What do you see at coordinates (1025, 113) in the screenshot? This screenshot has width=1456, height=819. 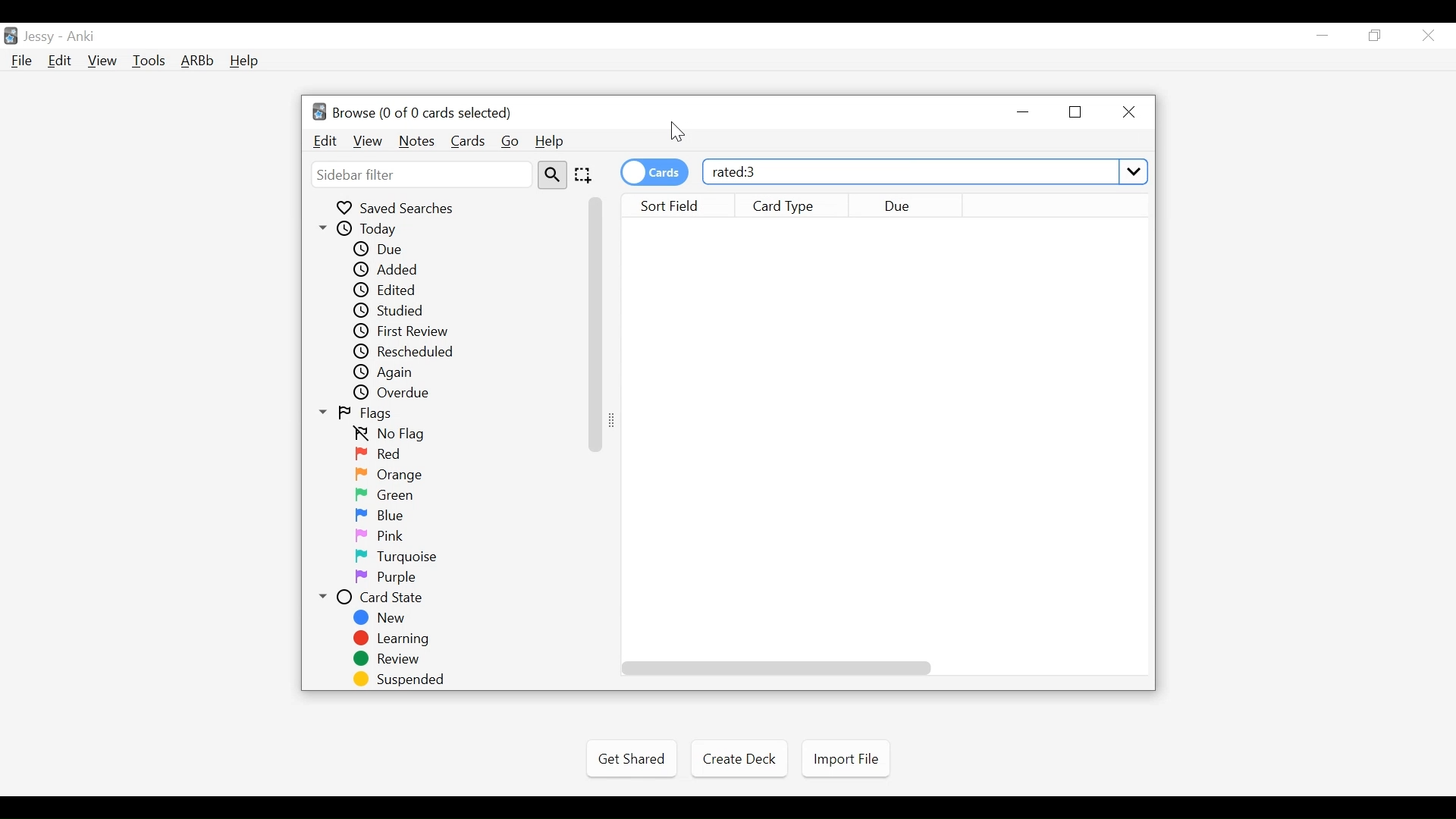 I see `minimize` at bounding box center [1025, 113].